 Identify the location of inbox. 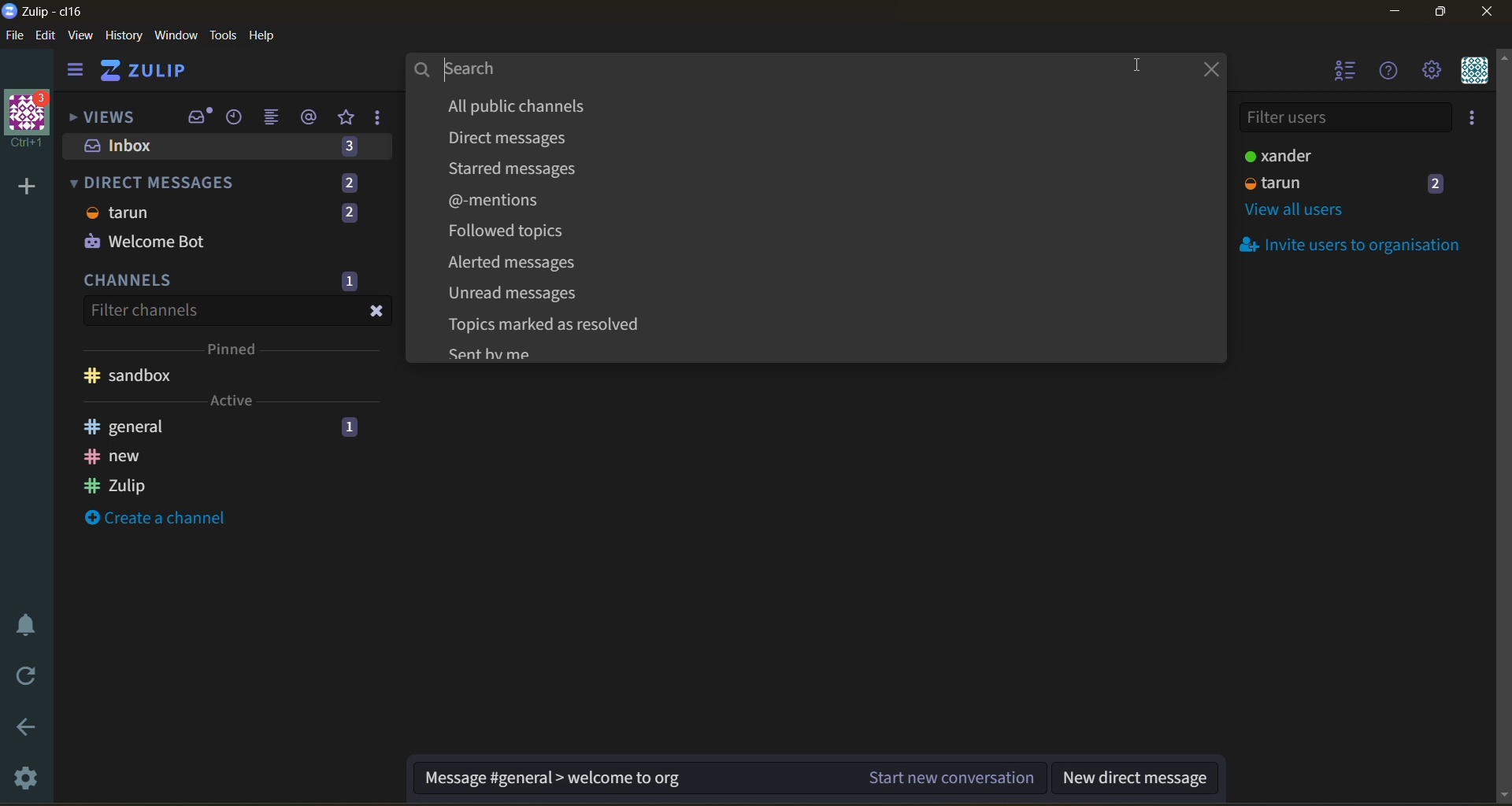
(125, 146).